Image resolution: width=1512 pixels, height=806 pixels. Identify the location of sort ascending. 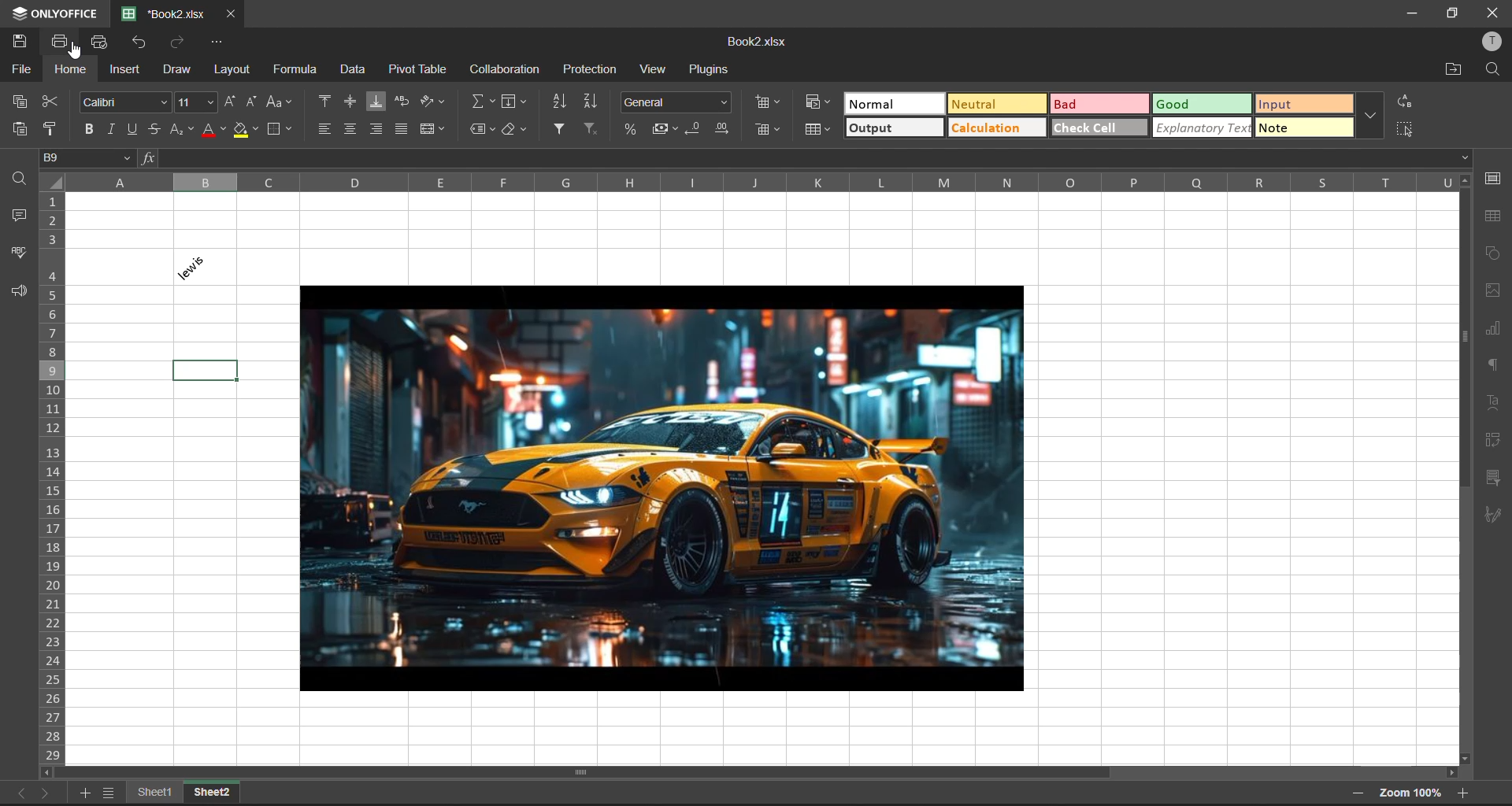
(560, 103).